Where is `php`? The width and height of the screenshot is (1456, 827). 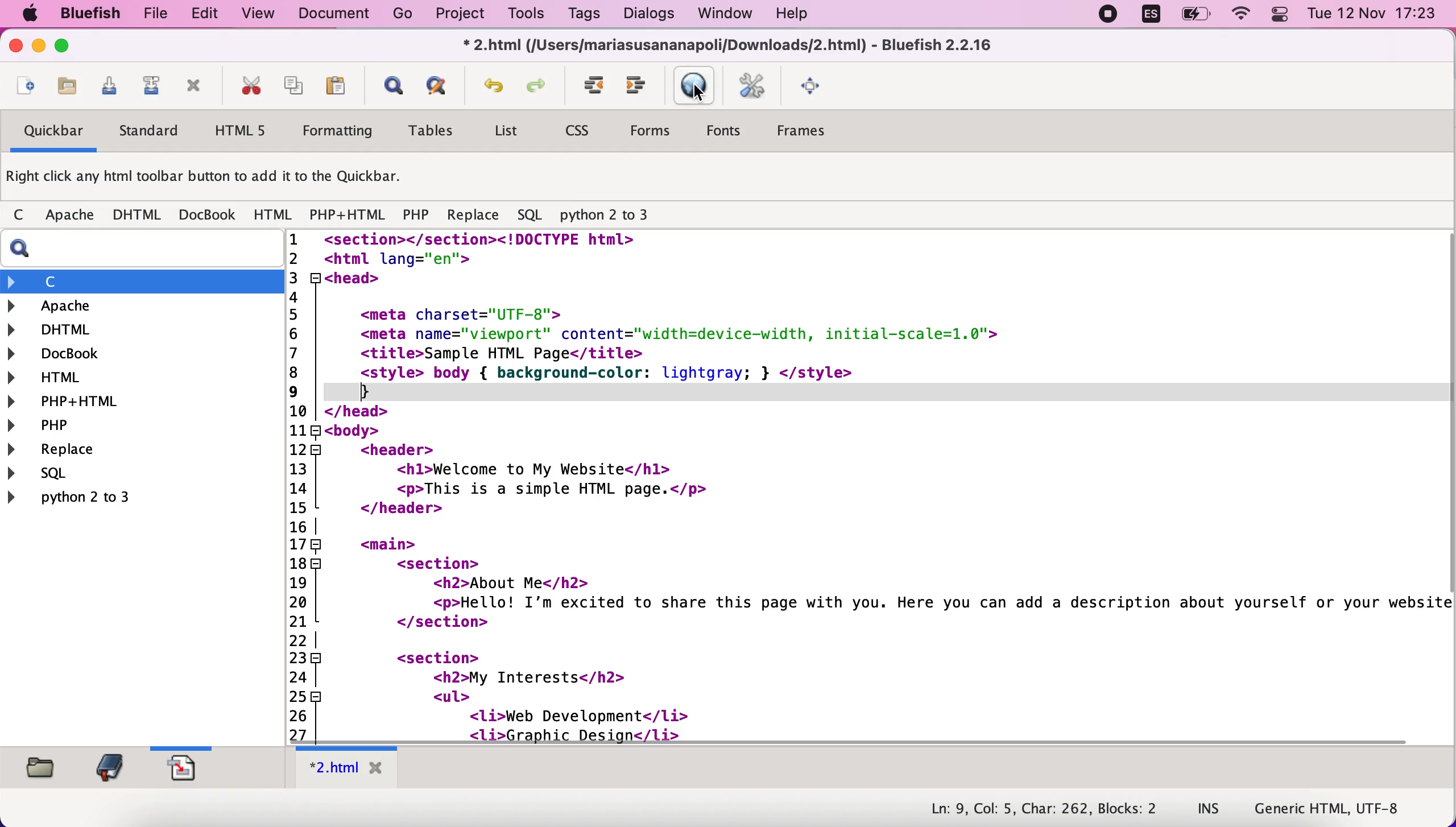
php is located at coordinates (417, 214).